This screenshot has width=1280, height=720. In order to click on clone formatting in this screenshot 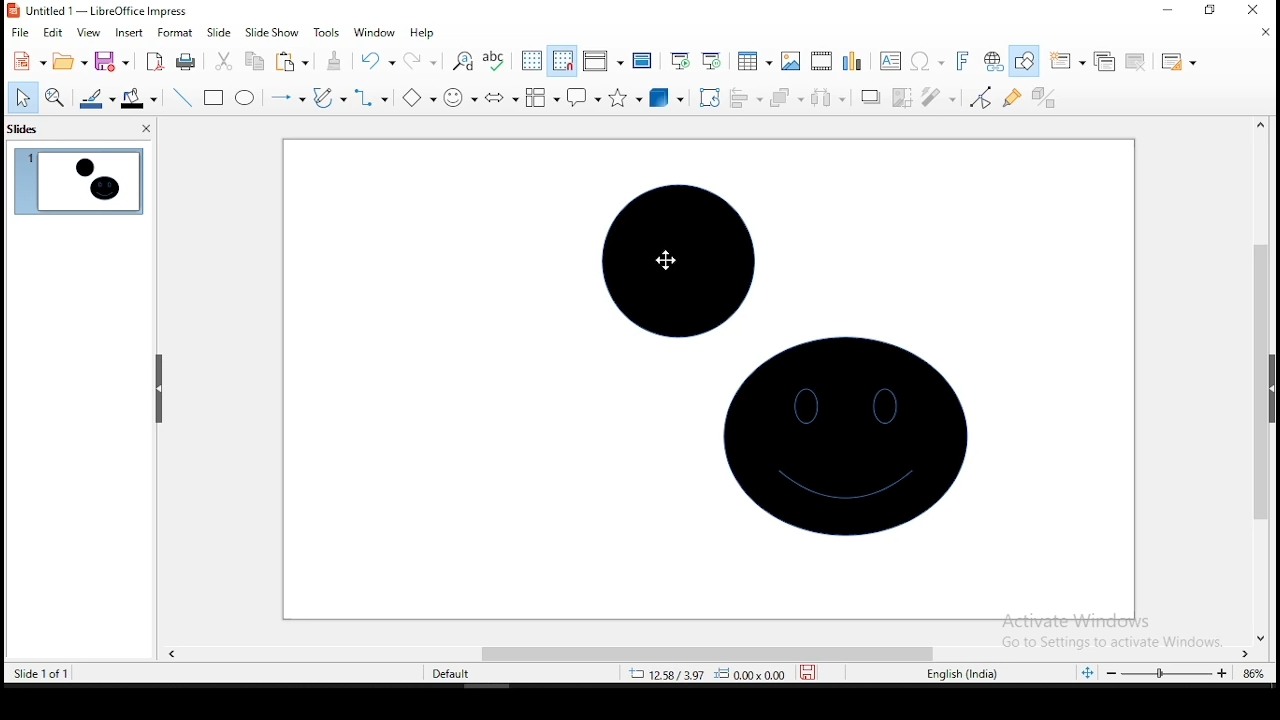, I will do `click(332, 61)`.